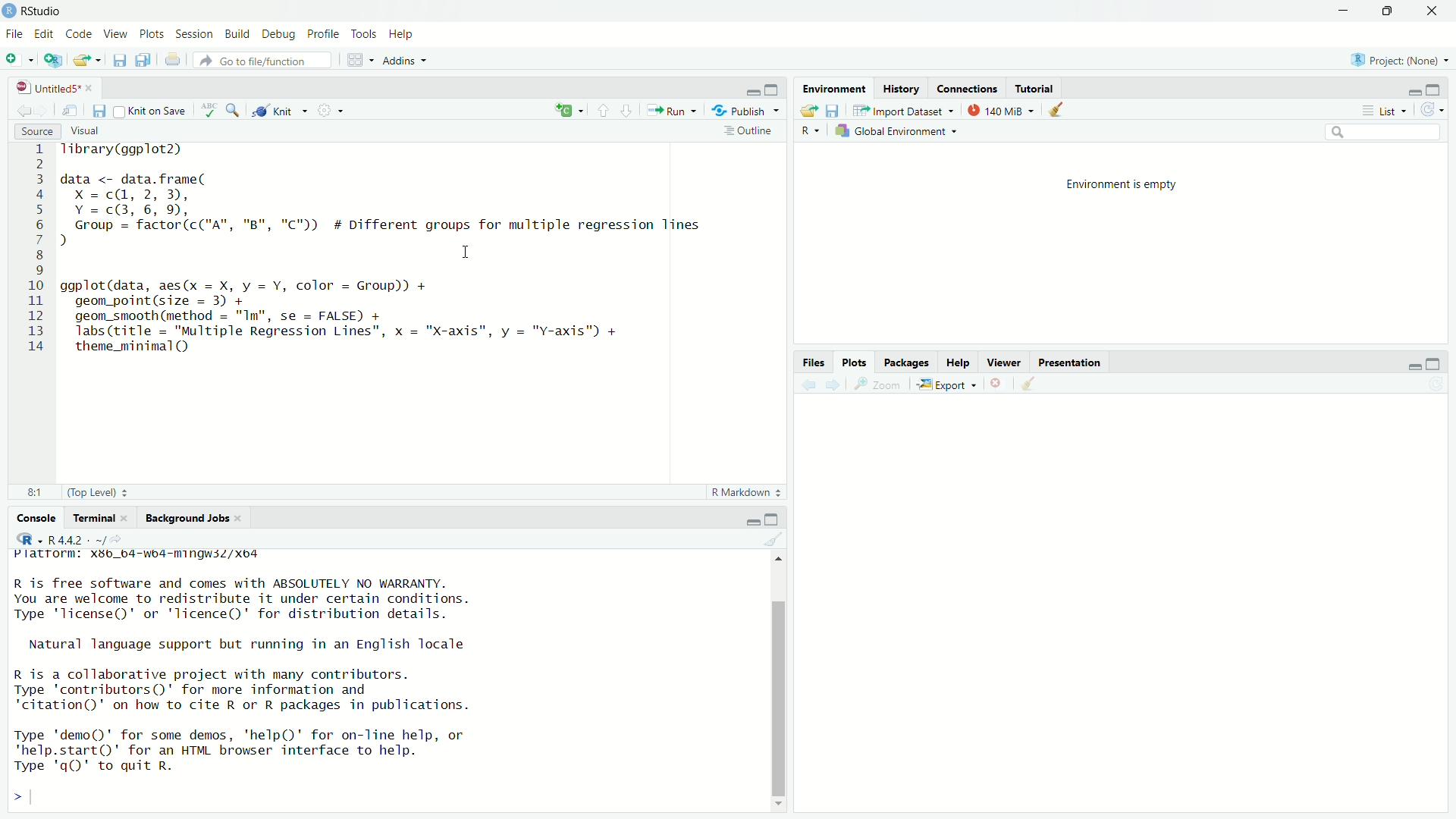 The image size is (1456, 819). I want to click on back, so click(807, 385).